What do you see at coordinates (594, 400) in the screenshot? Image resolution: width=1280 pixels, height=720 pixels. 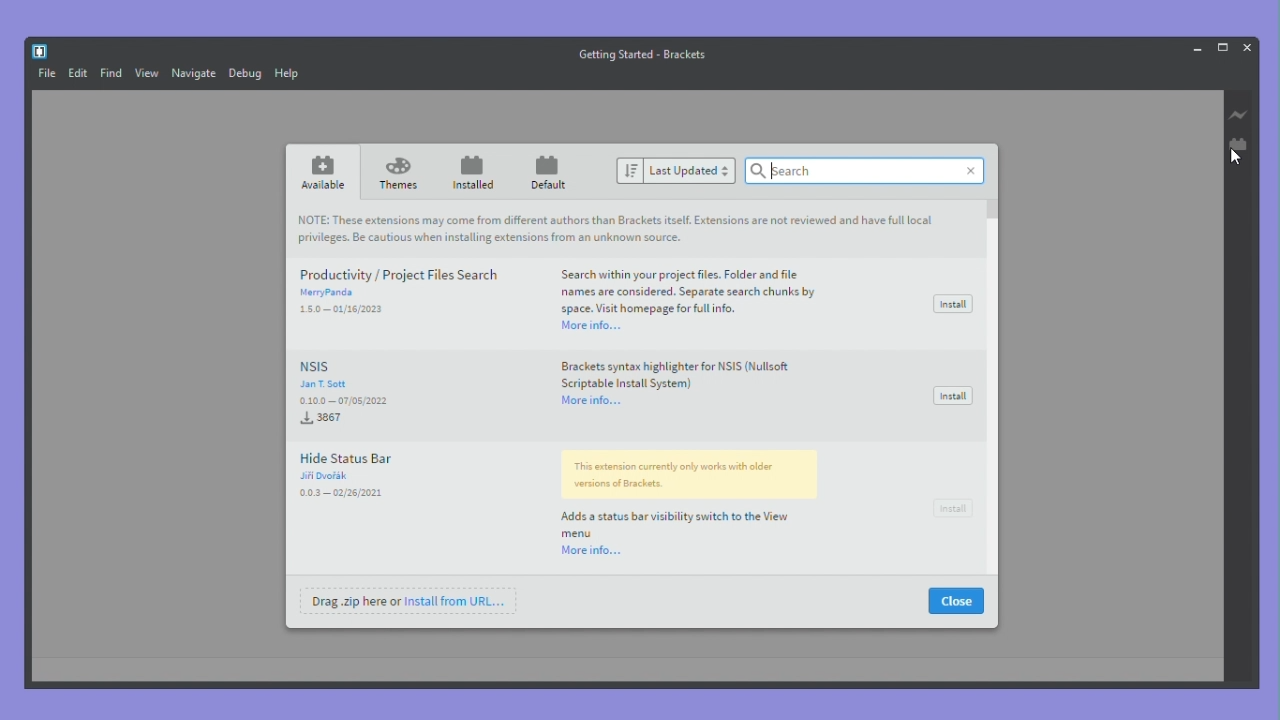 I see `More info` at bounding box center [594, 400].